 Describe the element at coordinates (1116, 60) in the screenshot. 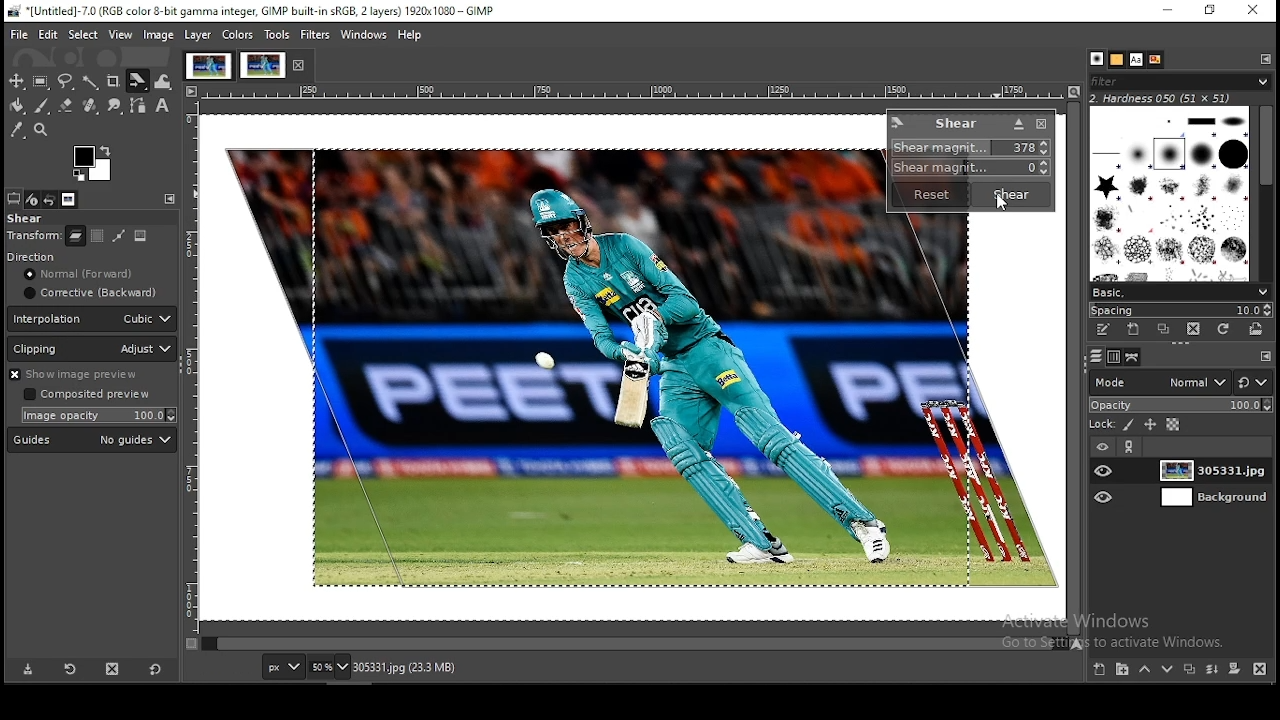

I see `brushes` at that location.